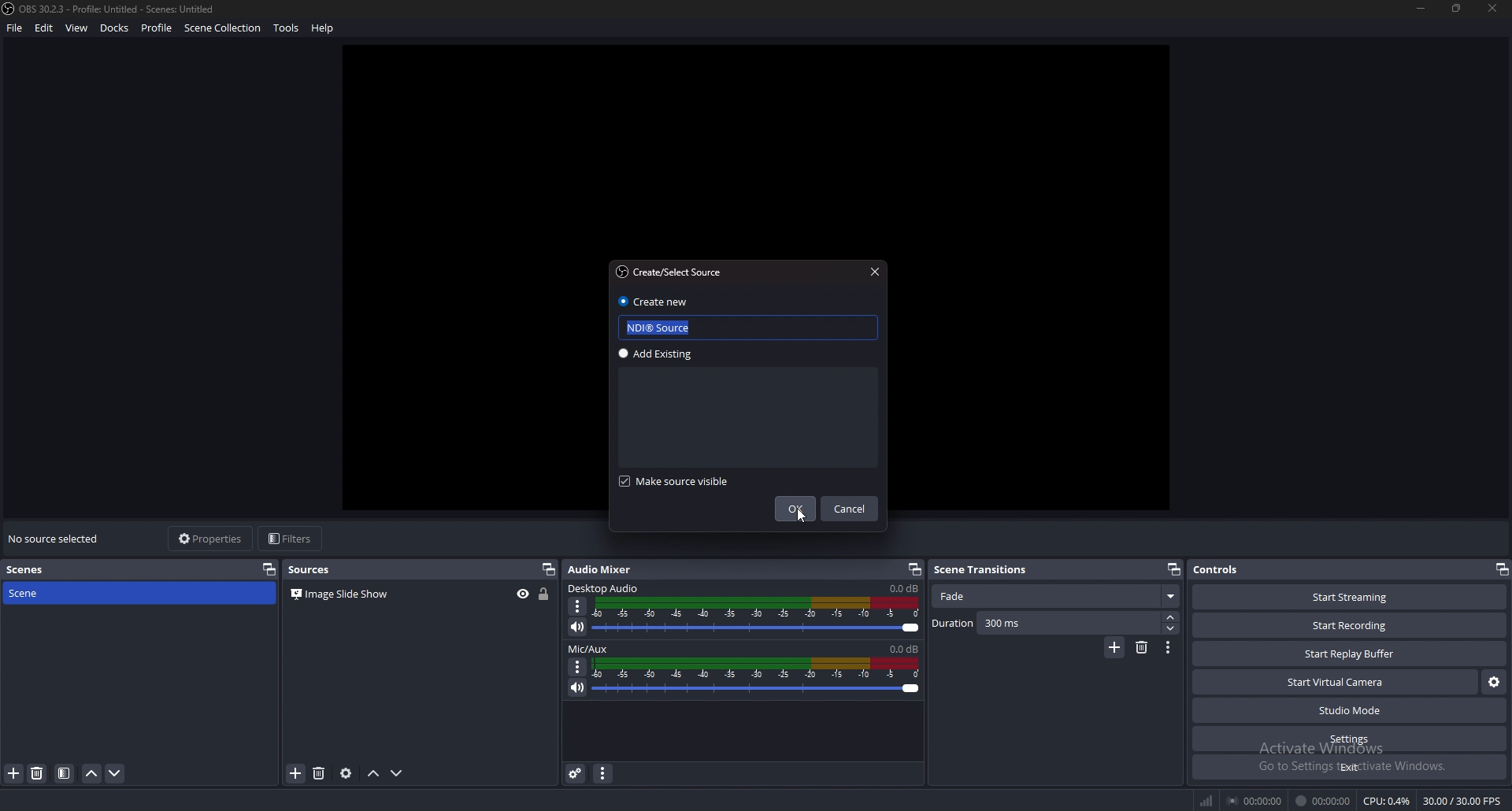 The height and width of the screenshot is (811, 1512). What do you see at coordinates (63, 773) in the screenshot?
I see `filter` at bounding box center [63, 773].